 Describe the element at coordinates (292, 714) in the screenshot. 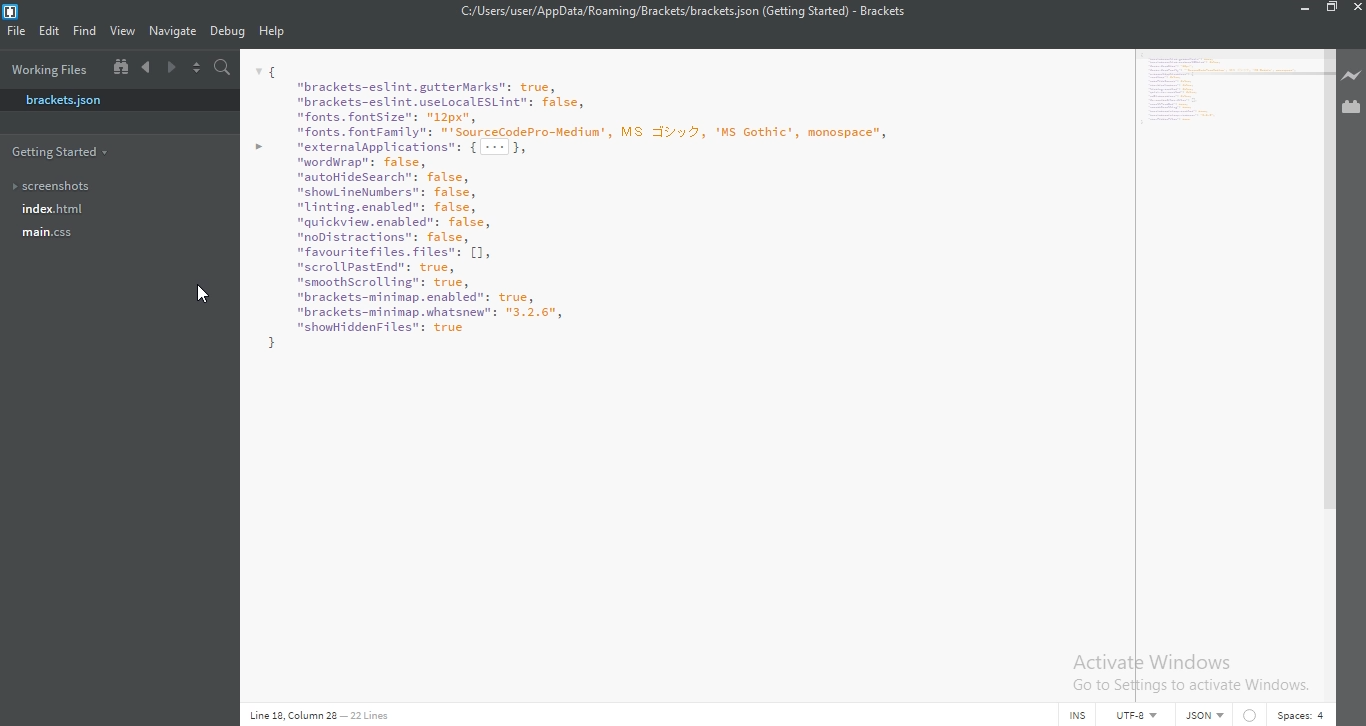

I see `Line 18, column 28` at that location.